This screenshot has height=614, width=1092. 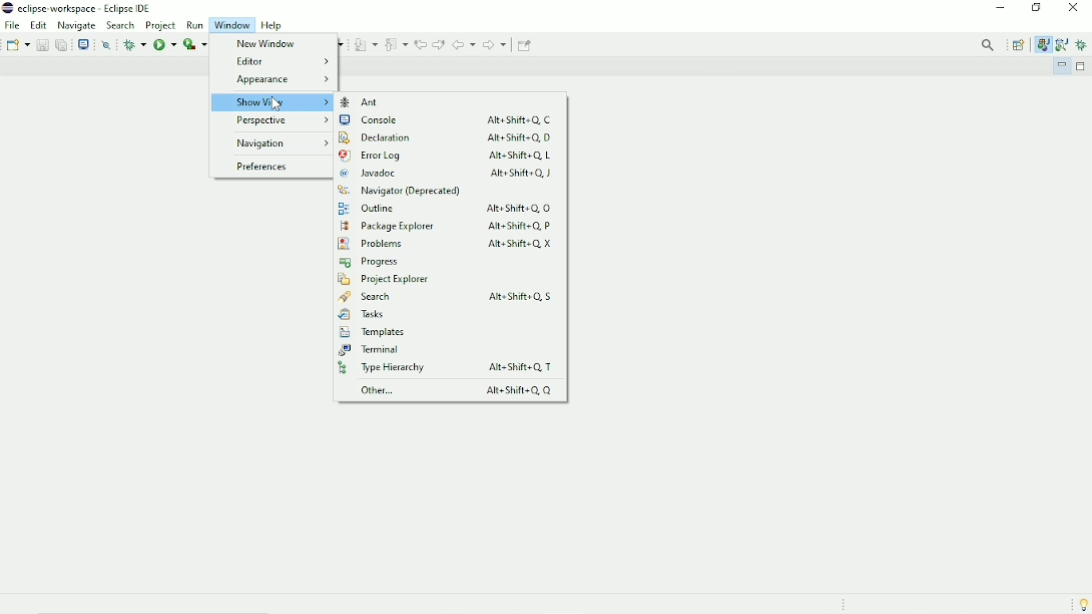 What do you see at coordinates (1060, 66) in the screenshot?
I see `Minimize` at bounding box center [1060, 66].